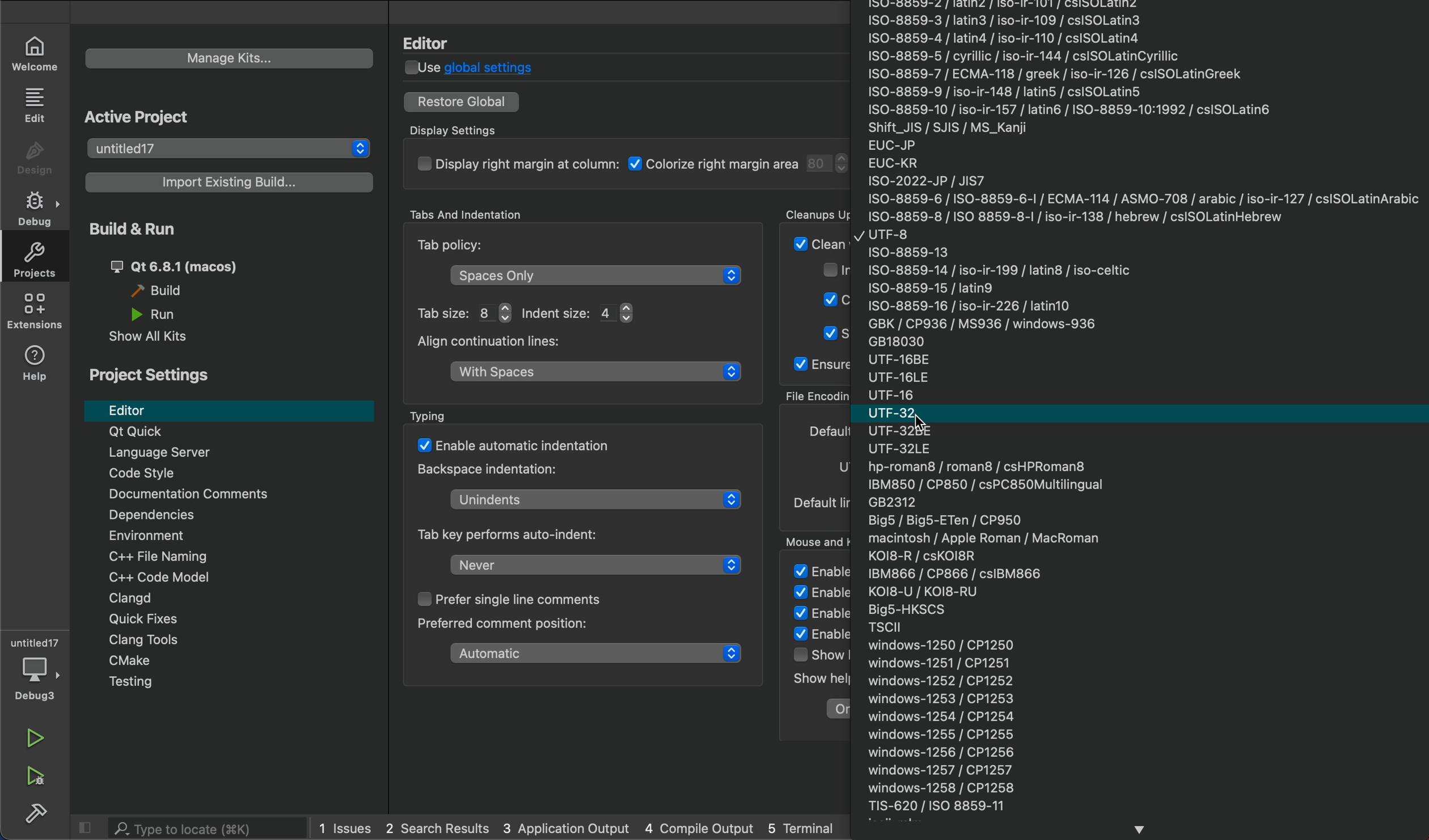 This screenshot has height=840, width=1429. I want to click on encoding type, so click(822, 430).